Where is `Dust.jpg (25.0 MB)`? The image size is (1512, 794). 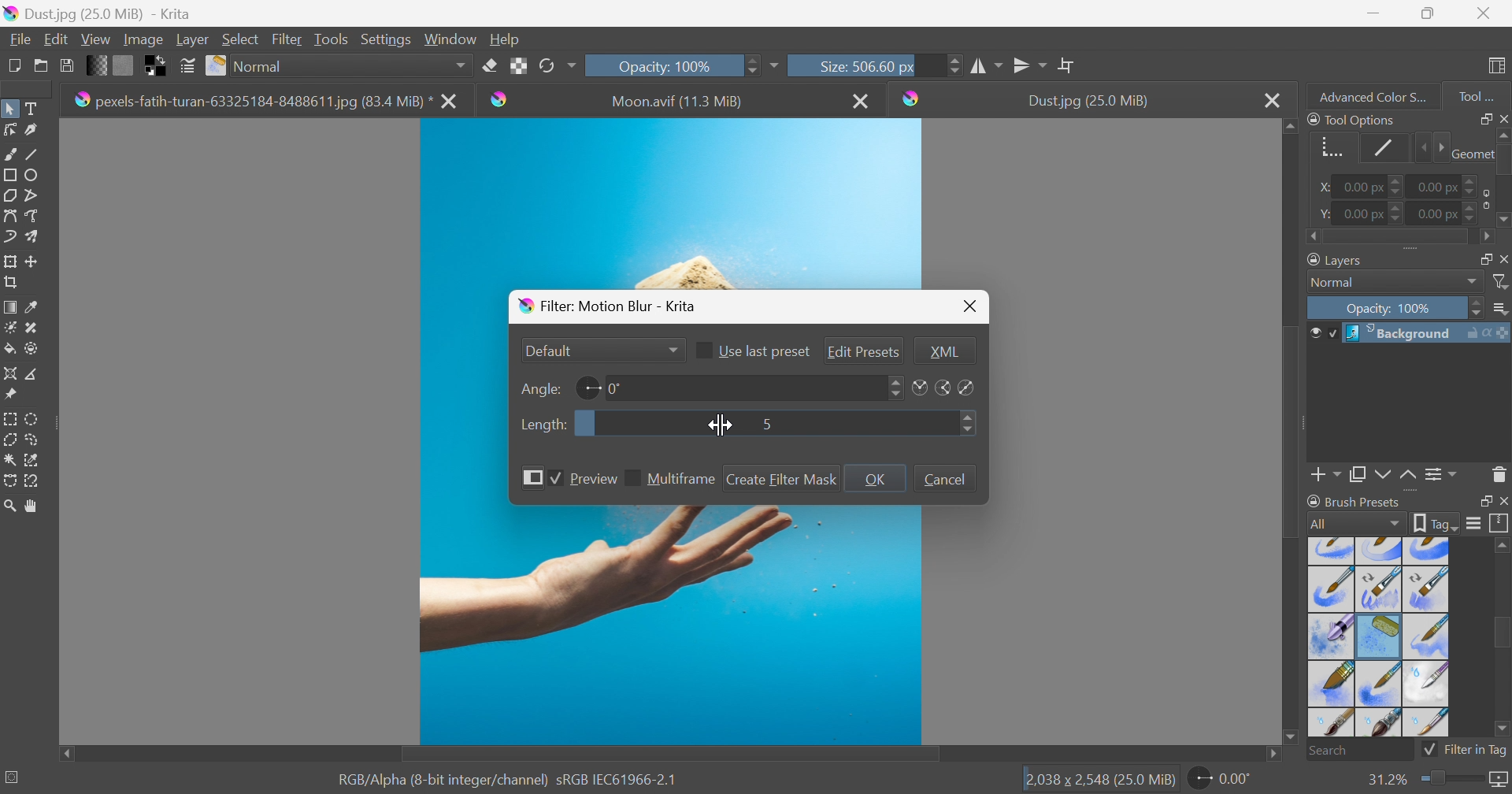 Dust.jpg (25.0 MB) is located at coordinates (97, 13).